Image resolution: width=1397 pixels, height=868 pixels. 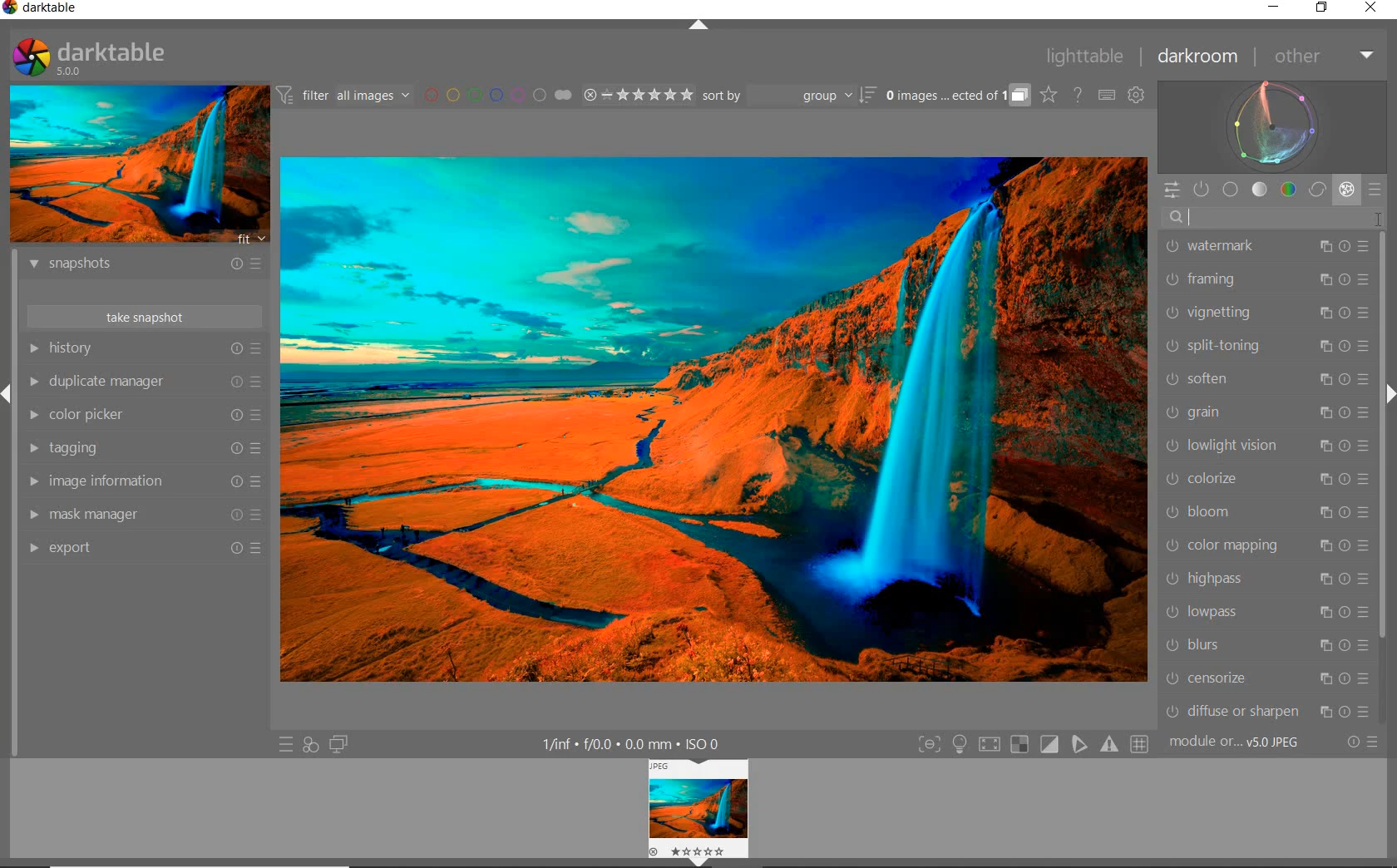 What do you see at coordinates (711, 417) in the screenshot?
I see `SELECTED IMAGE` at bounding box center [711, 417].